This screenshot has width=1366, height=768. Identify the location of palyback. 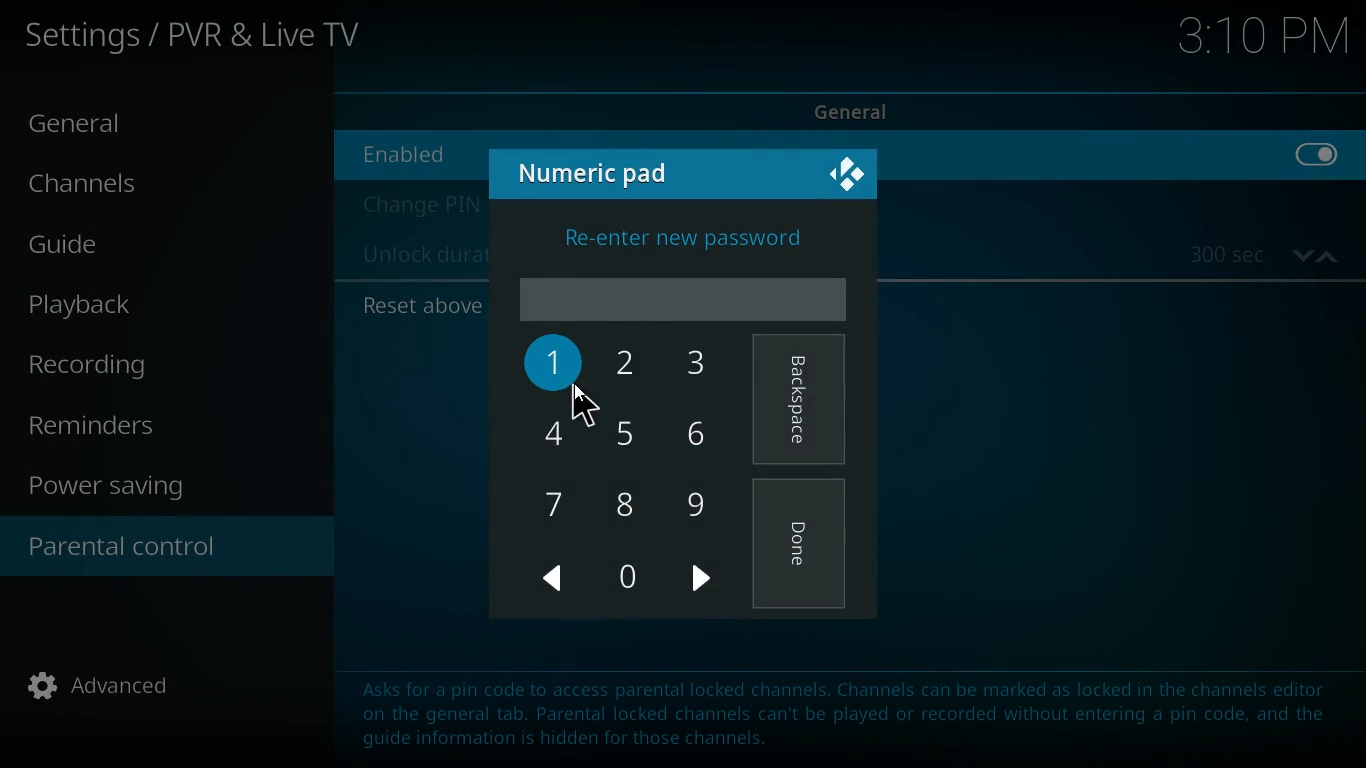
(102, 305).